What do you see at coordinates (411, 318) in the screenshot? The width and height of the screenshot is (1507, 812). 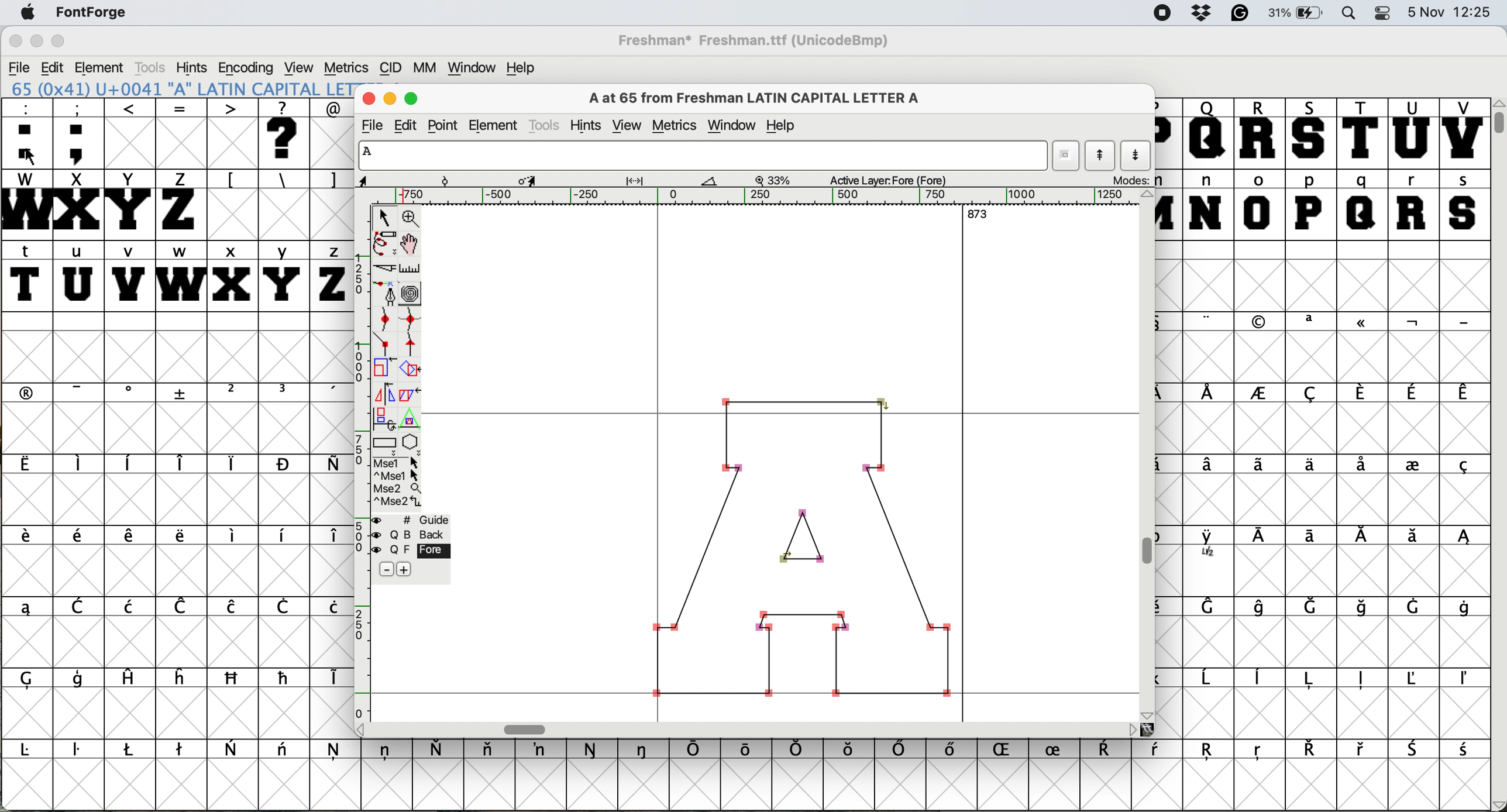 I see `add a curve point horizontal or vertical` at bounding box center [411, 318].